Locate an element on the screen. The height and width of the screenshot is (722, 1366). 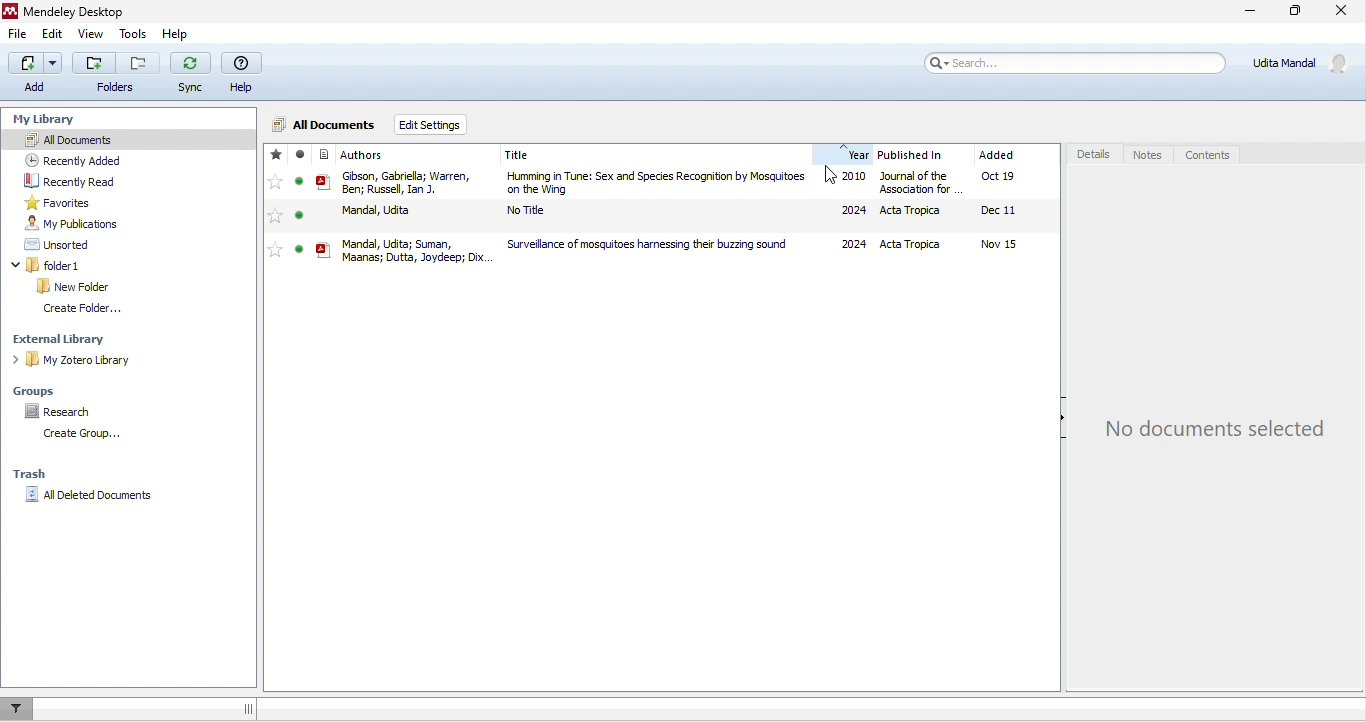
tools is located at coordinates (135, 35).